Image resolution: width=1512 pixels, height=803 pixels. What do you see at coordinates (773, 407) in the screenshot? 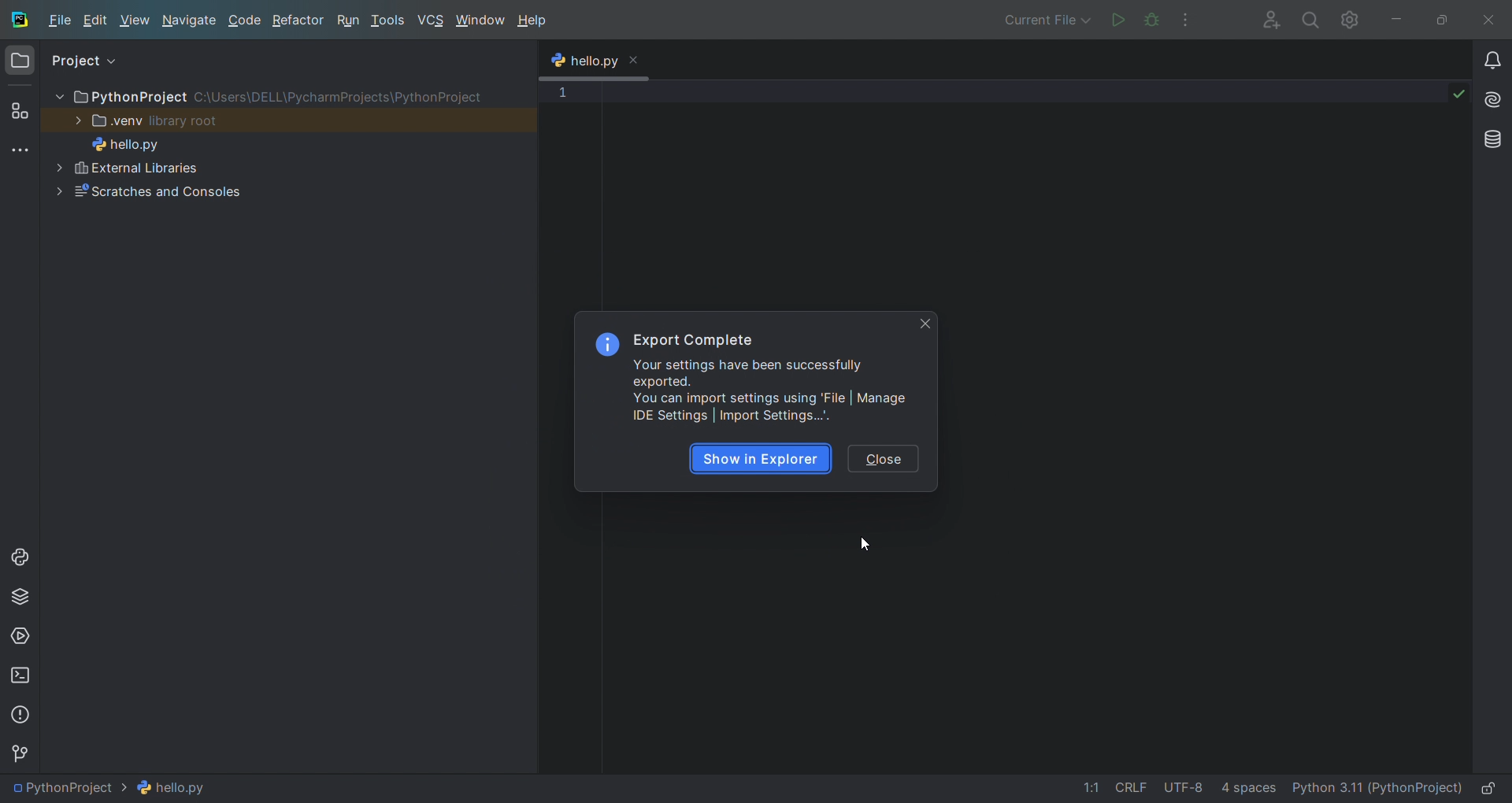
I see `You can import settings using ‘File | Manage IDE Settings | Import Settings...".` at bounding box center [773, 407].